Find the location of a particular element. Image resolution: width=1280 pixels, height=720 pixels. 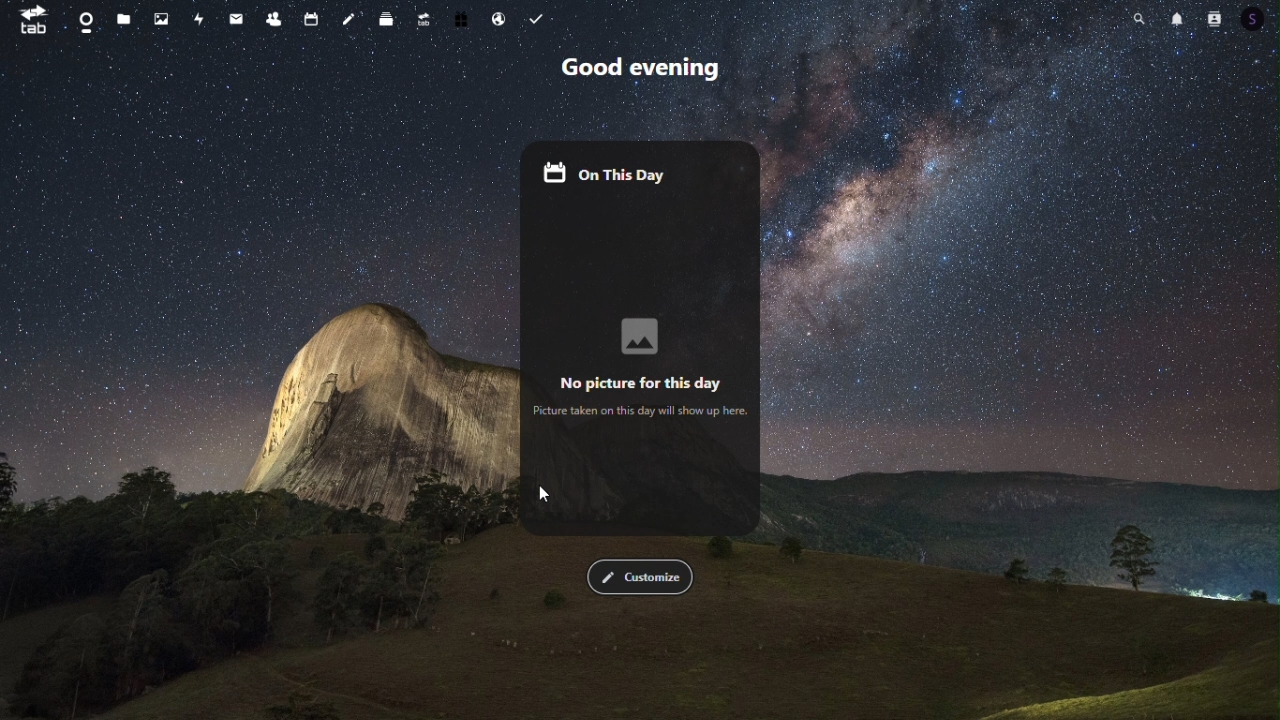

Photos is located at coordinates (164, 17).